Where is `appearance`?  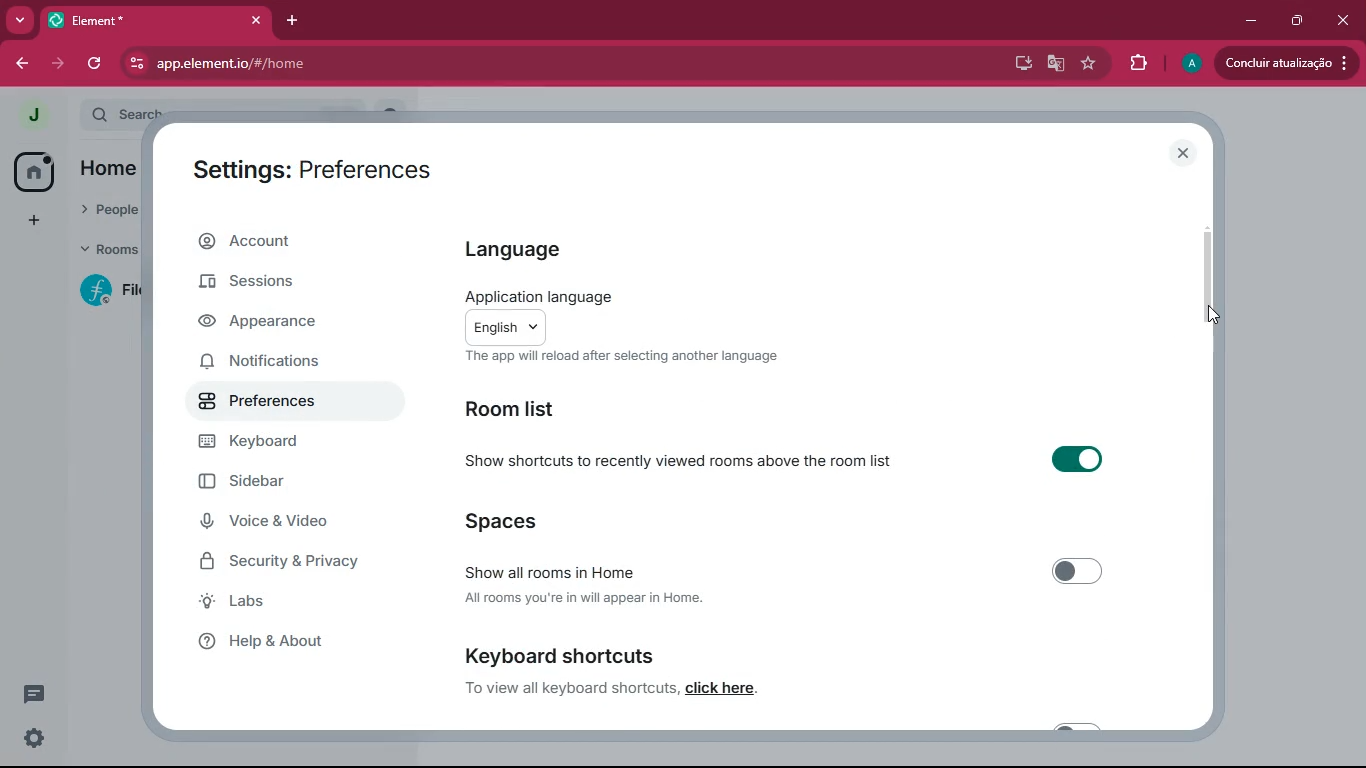 appearance is located at coordinates (267, 323).